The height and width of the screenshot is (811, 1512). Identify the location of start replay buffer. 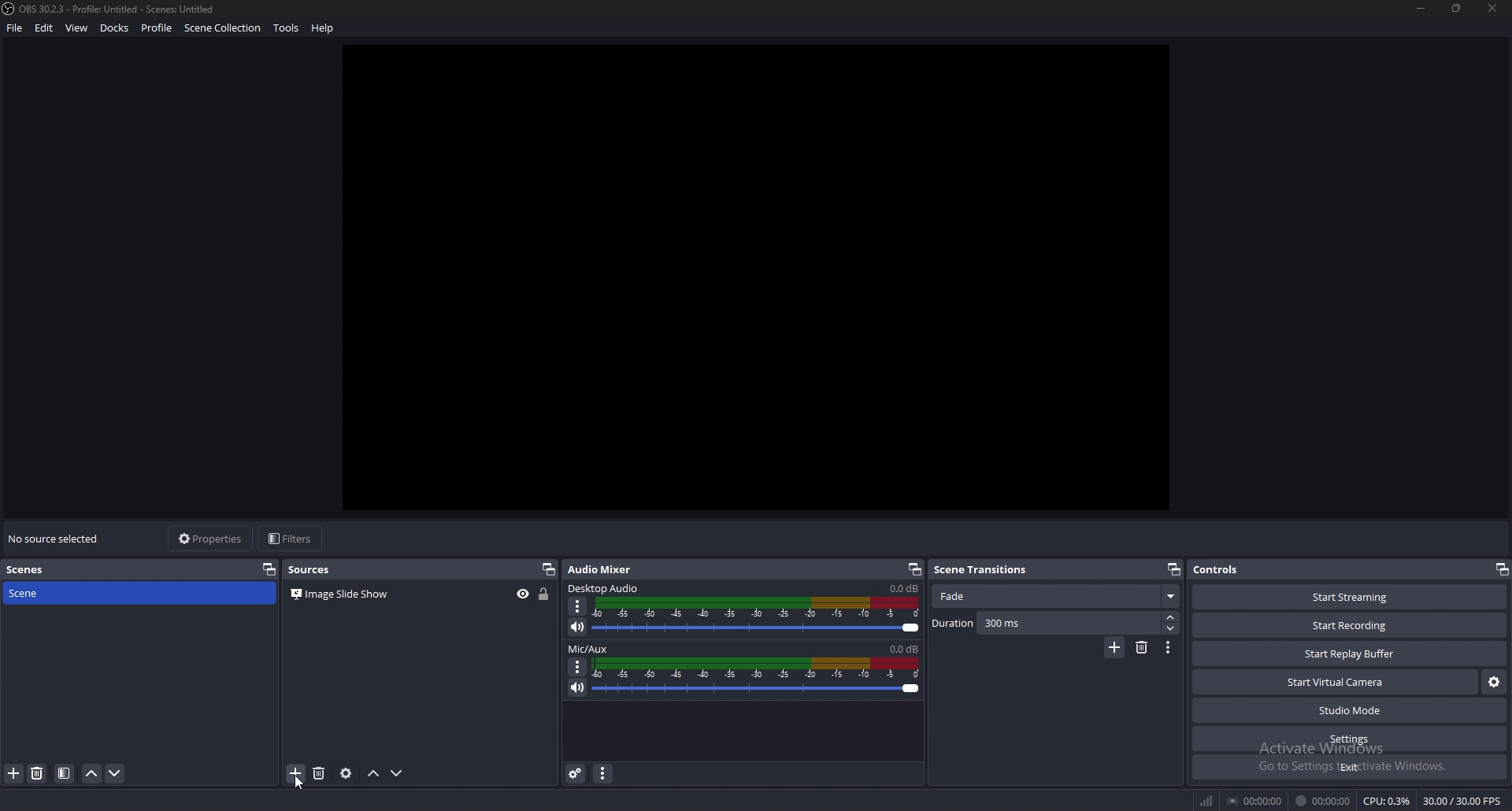
(1348, 654).